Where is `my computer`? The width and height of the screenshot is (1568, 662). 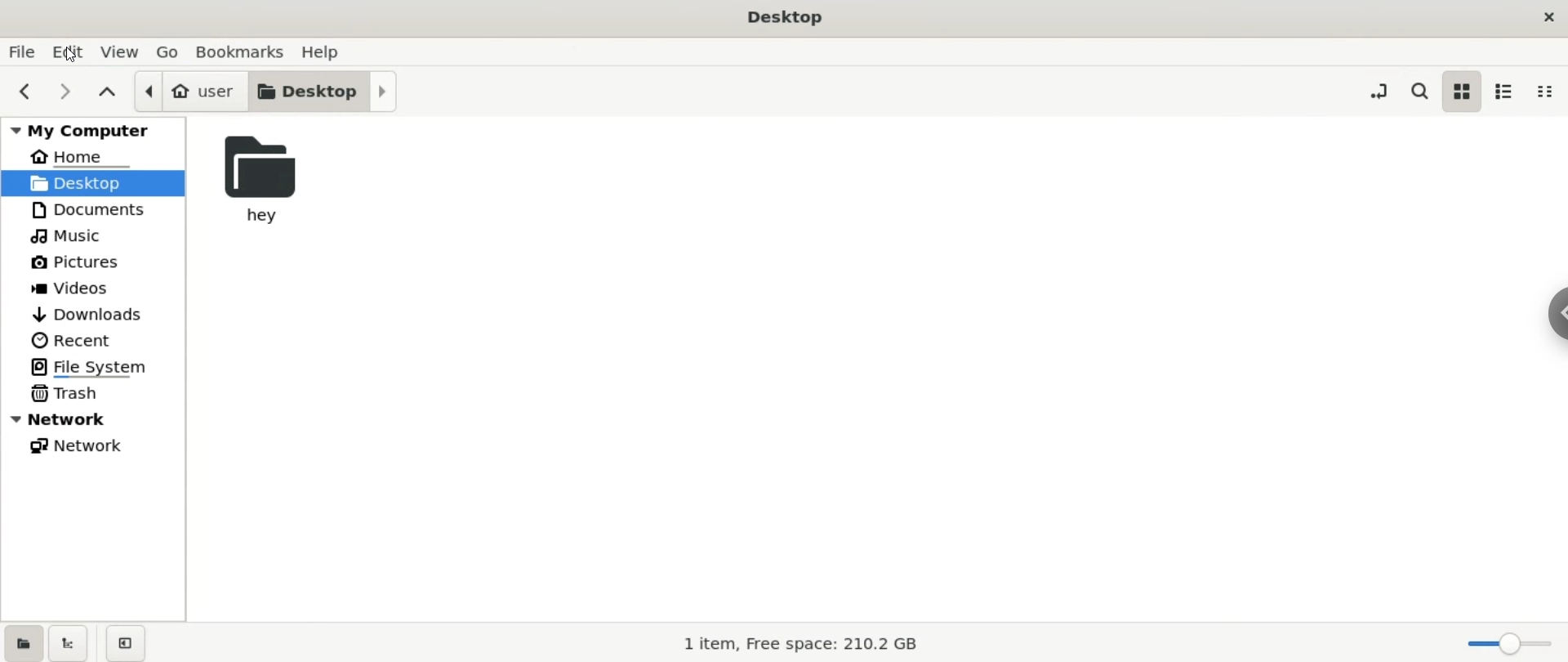
my computer is located at coordinates (89, 128).